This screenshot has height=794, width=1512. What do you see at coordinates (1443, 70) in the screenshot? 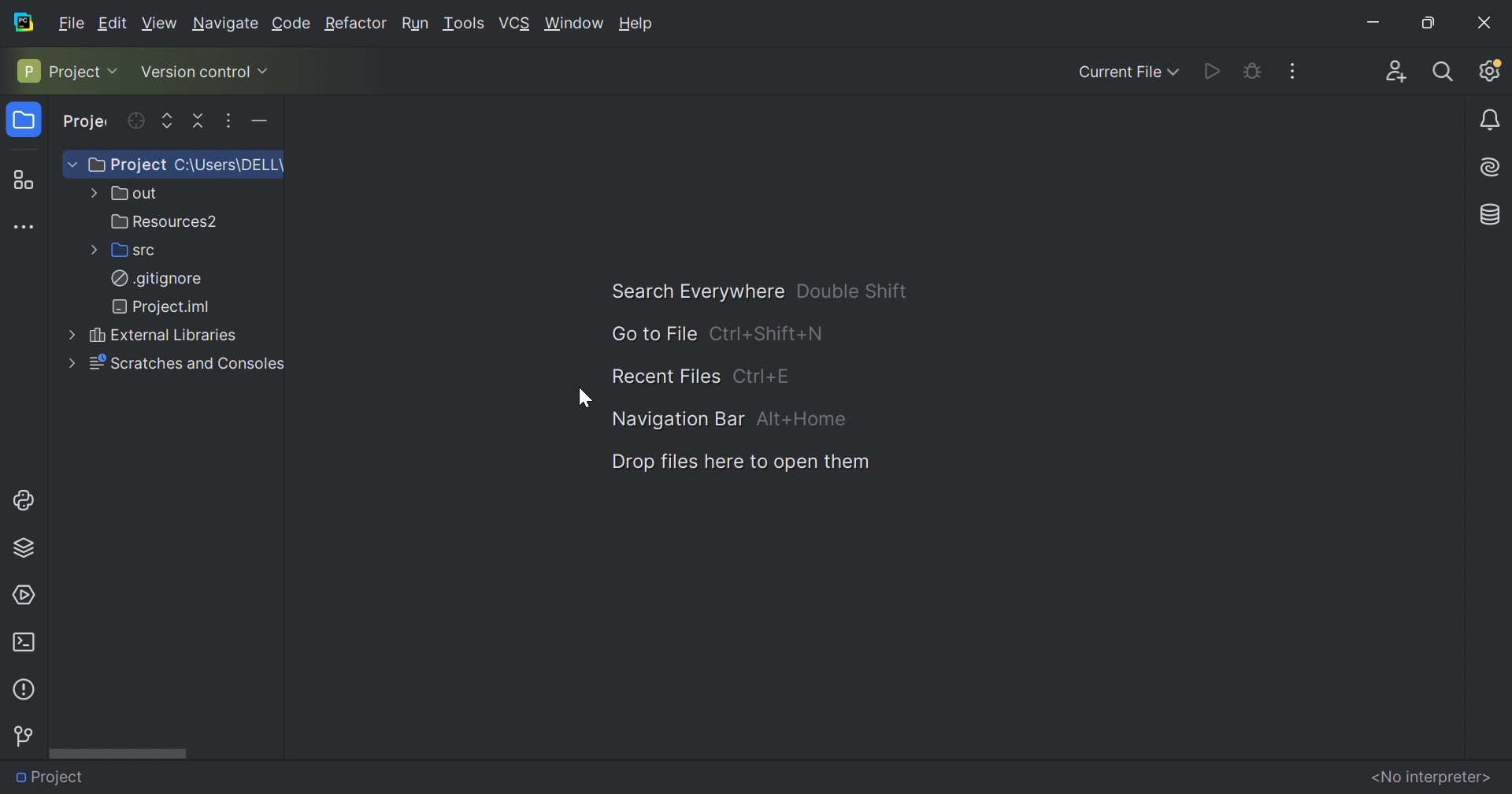
I see `Search Everywhere` at bounding box center [1443, 70].